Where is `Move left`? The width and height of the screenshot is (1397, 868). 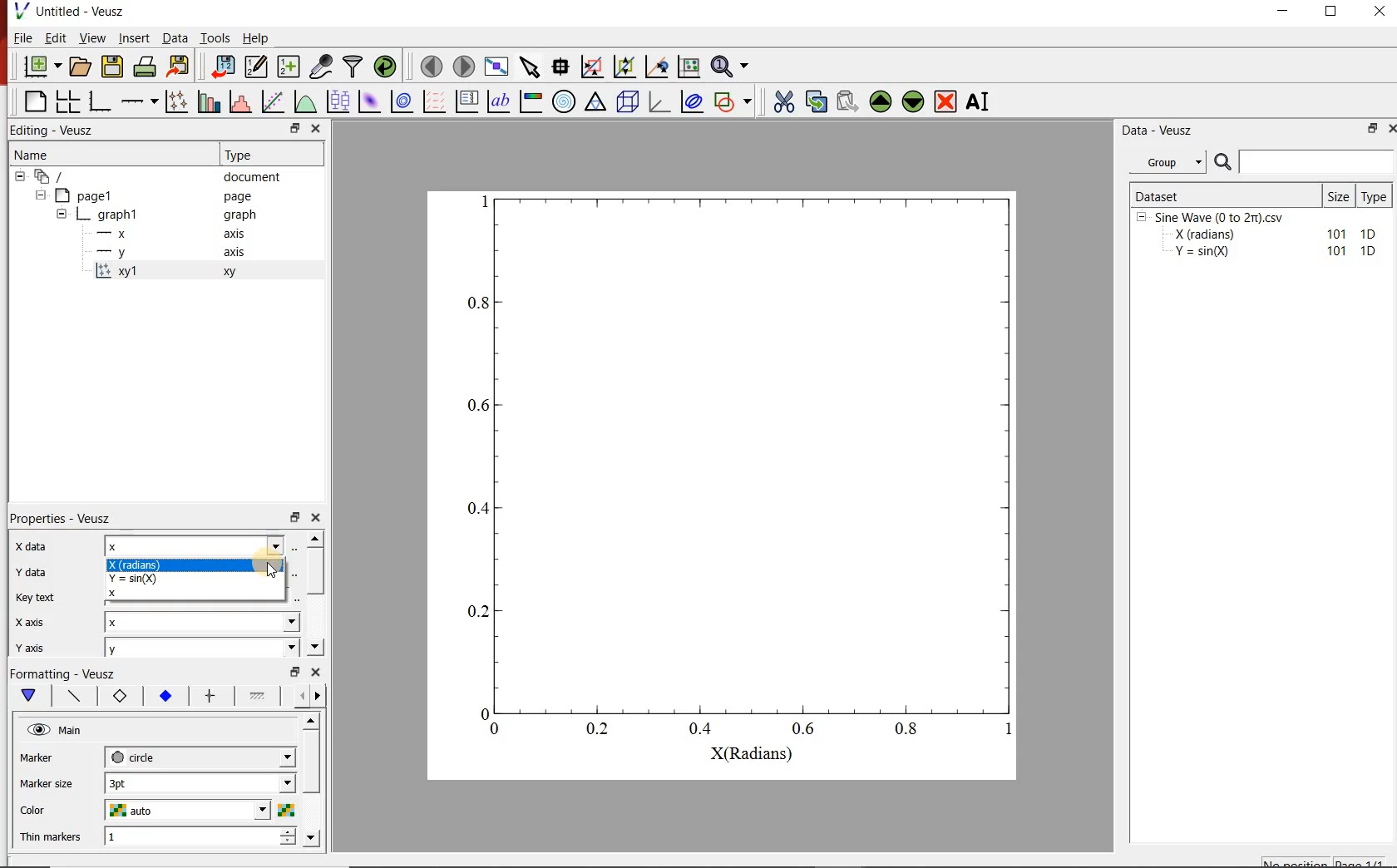
Move left is located at coordinates (299, 695).